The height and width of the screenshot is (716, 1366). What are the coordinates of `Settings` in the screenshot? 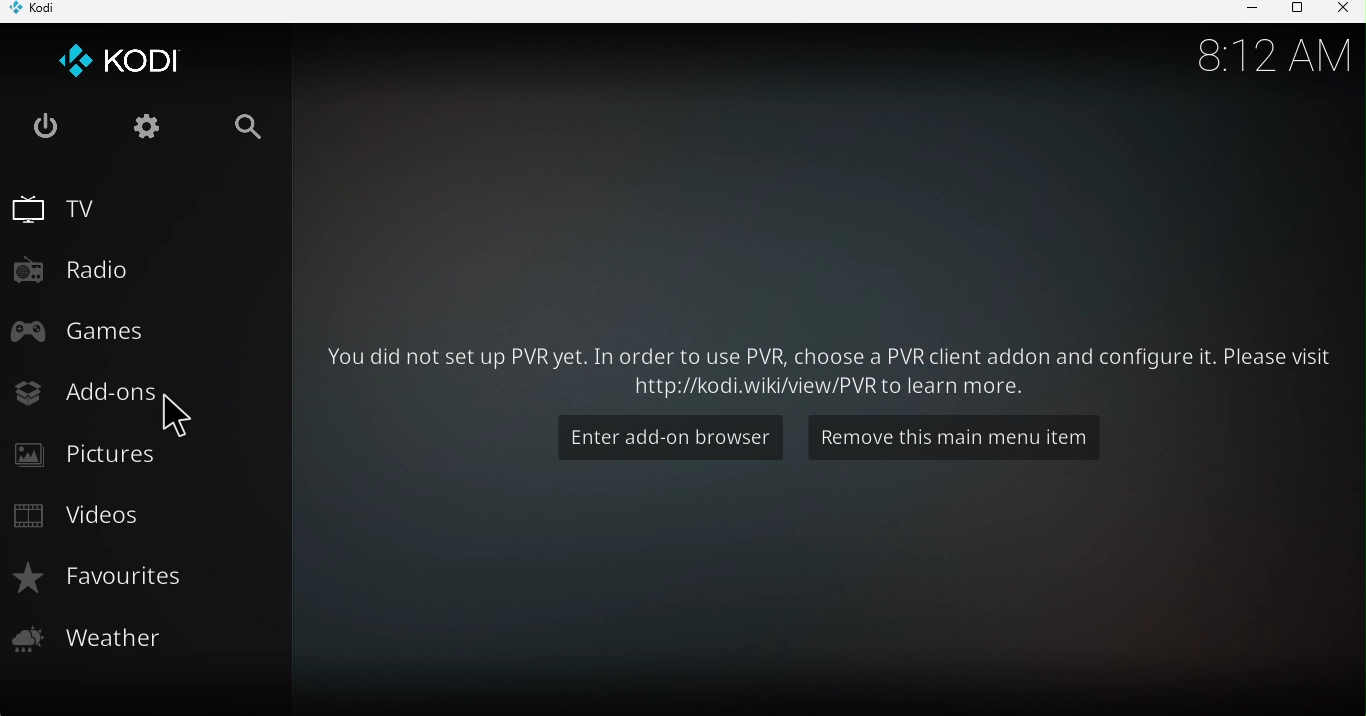 It's located at (149, 127).